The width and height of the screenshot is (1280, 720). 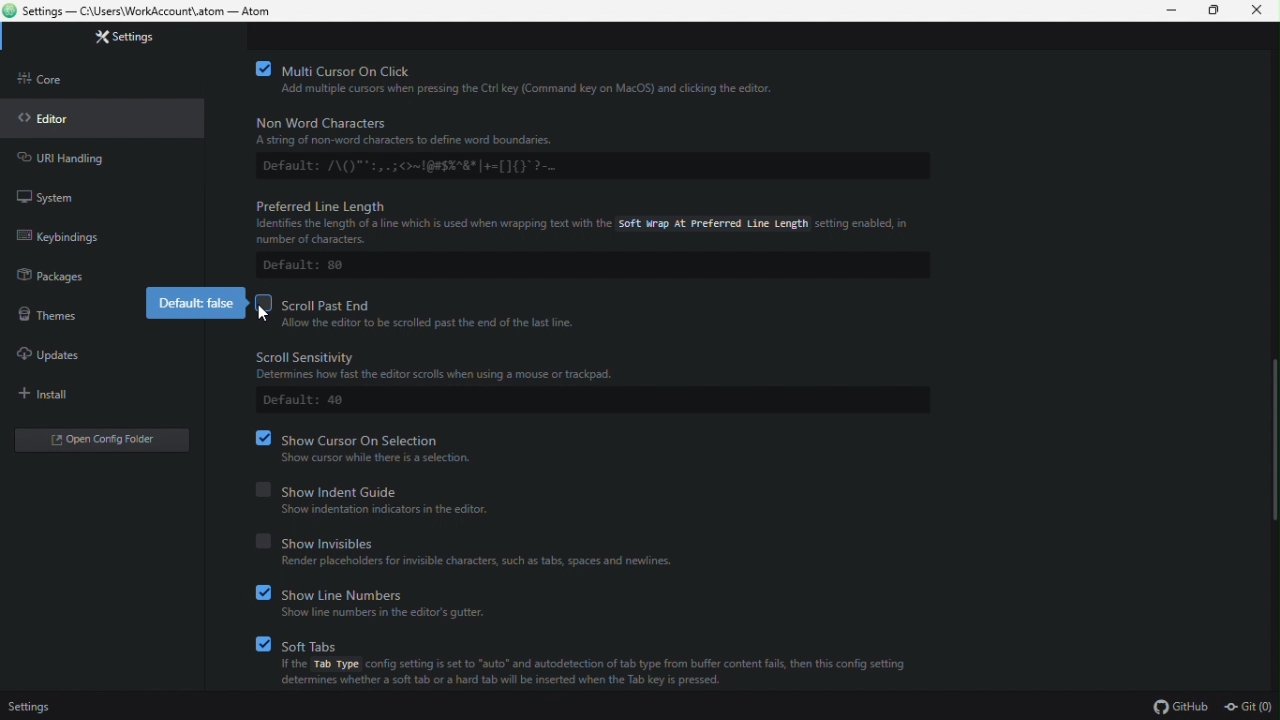 What do you see at coordinates (400, 509) in the screenshot?
I see `Show indentation indicators in the editor.` at bounding box center [400, 509].